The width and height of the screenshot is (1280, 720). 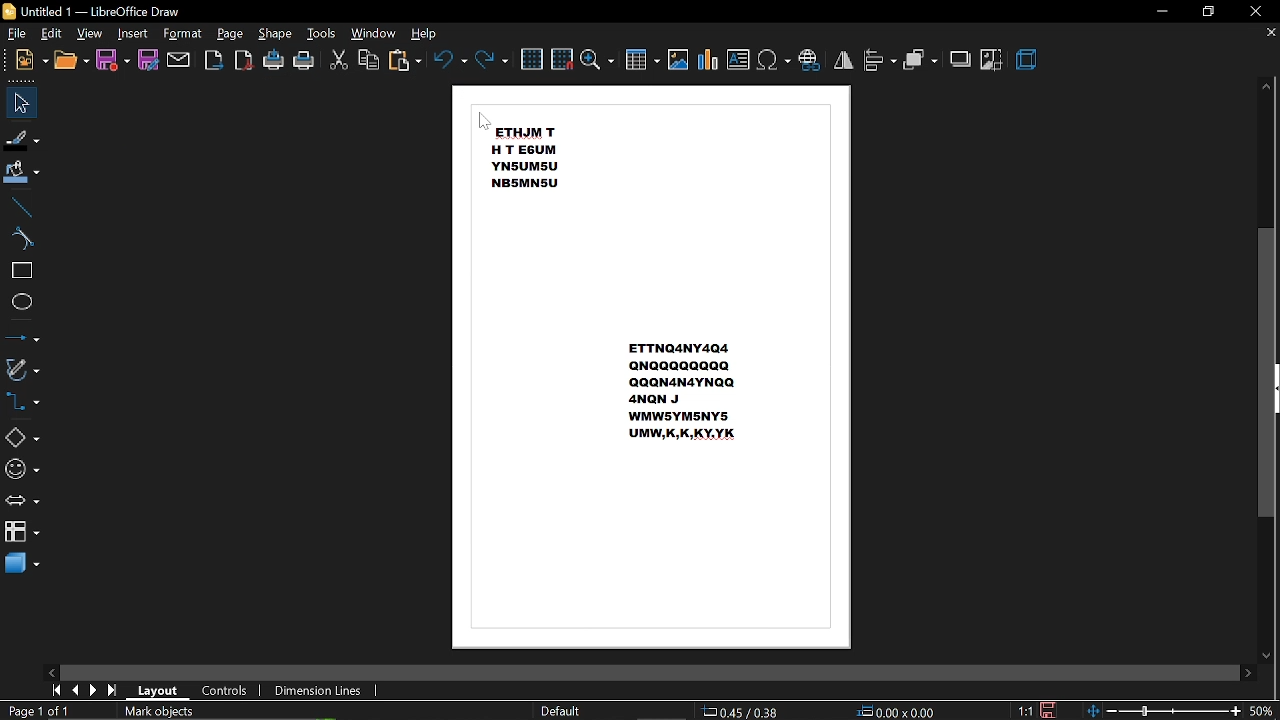 I want to click on Untitled 1 — LibreOffice Draw, so click(x=92, y=11).